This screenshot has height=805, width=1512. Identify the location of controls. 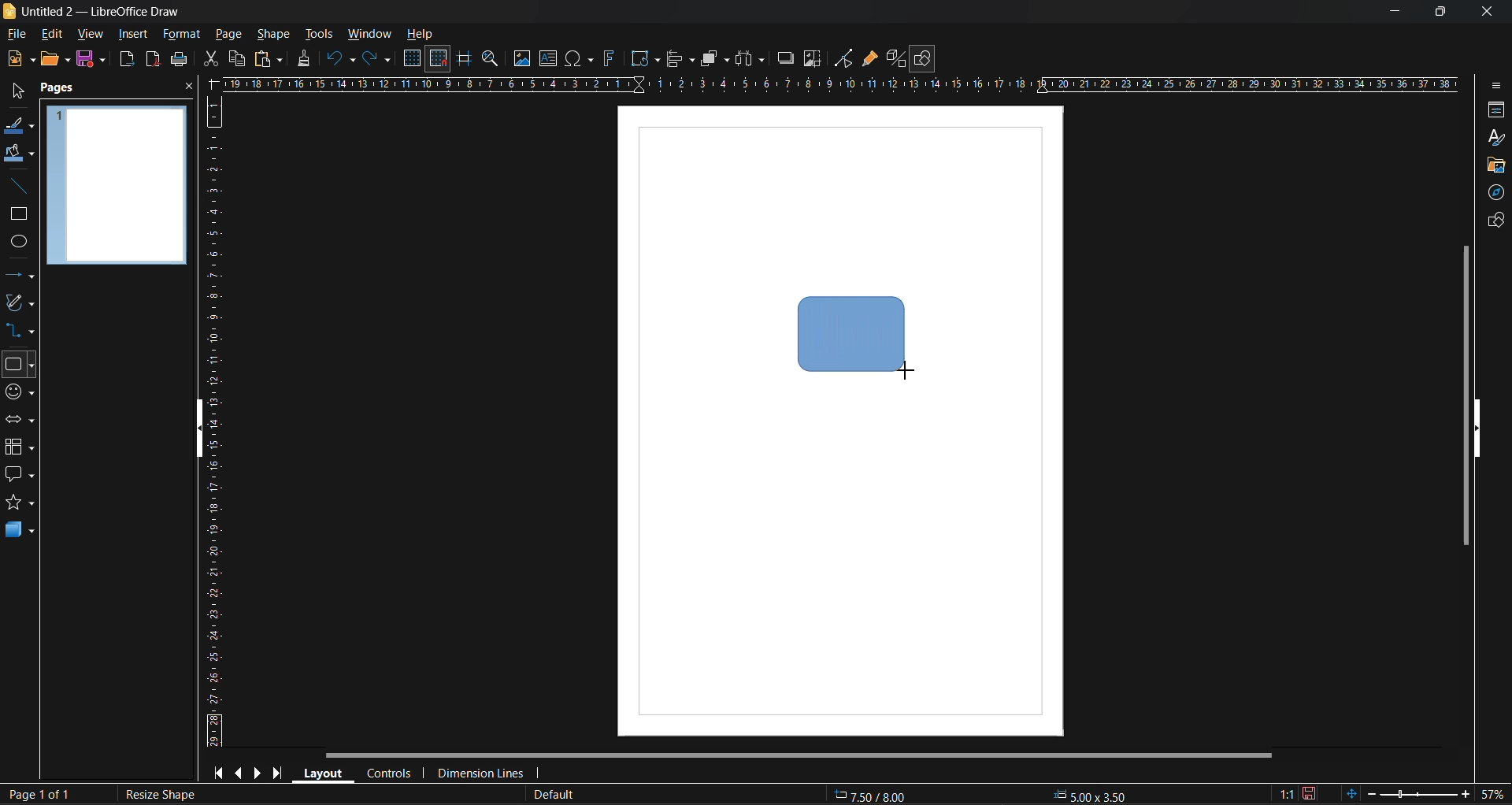
(387, 775).